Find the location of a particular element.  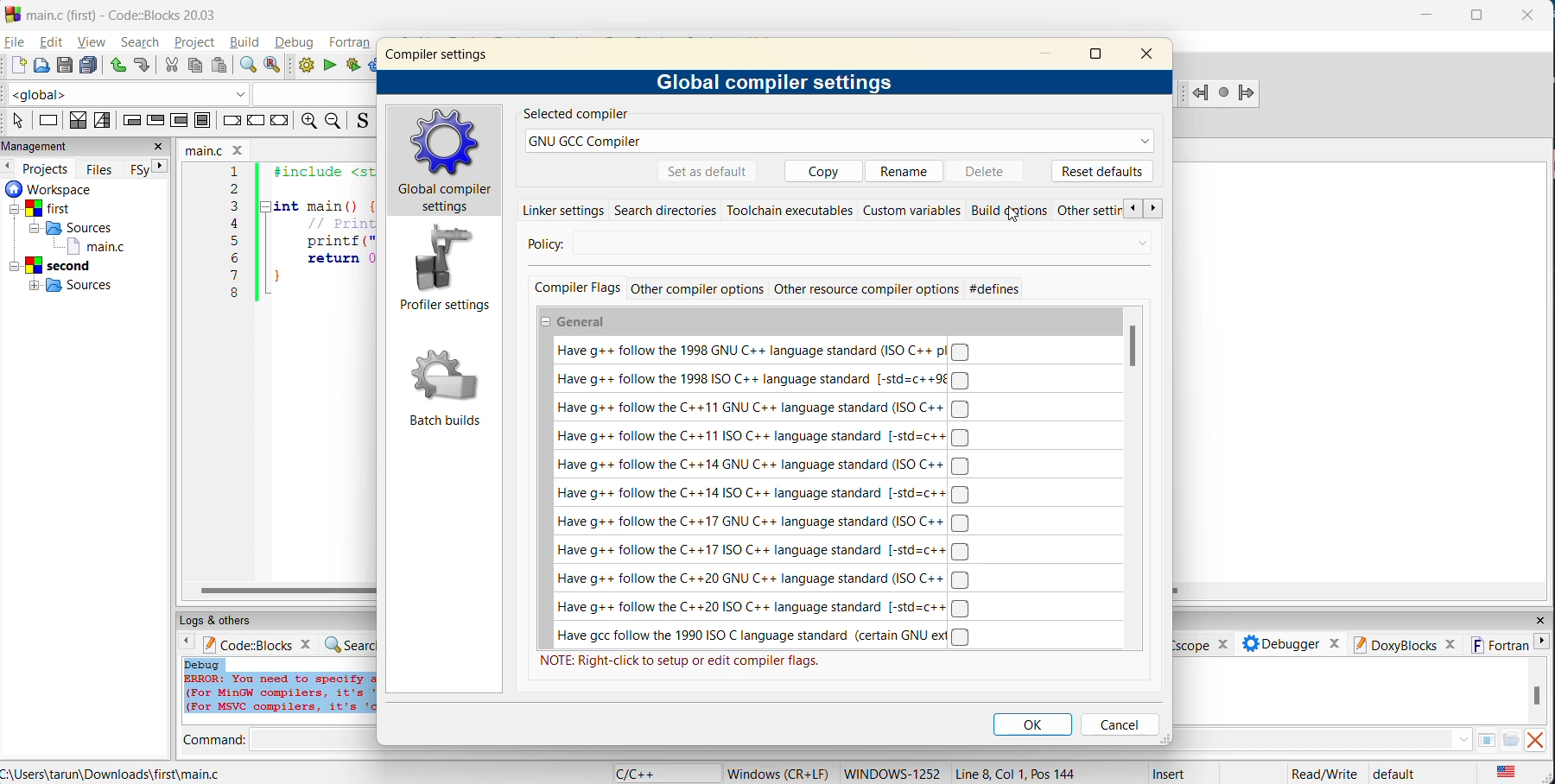

Jump back is located at coordinates (1198, 93).